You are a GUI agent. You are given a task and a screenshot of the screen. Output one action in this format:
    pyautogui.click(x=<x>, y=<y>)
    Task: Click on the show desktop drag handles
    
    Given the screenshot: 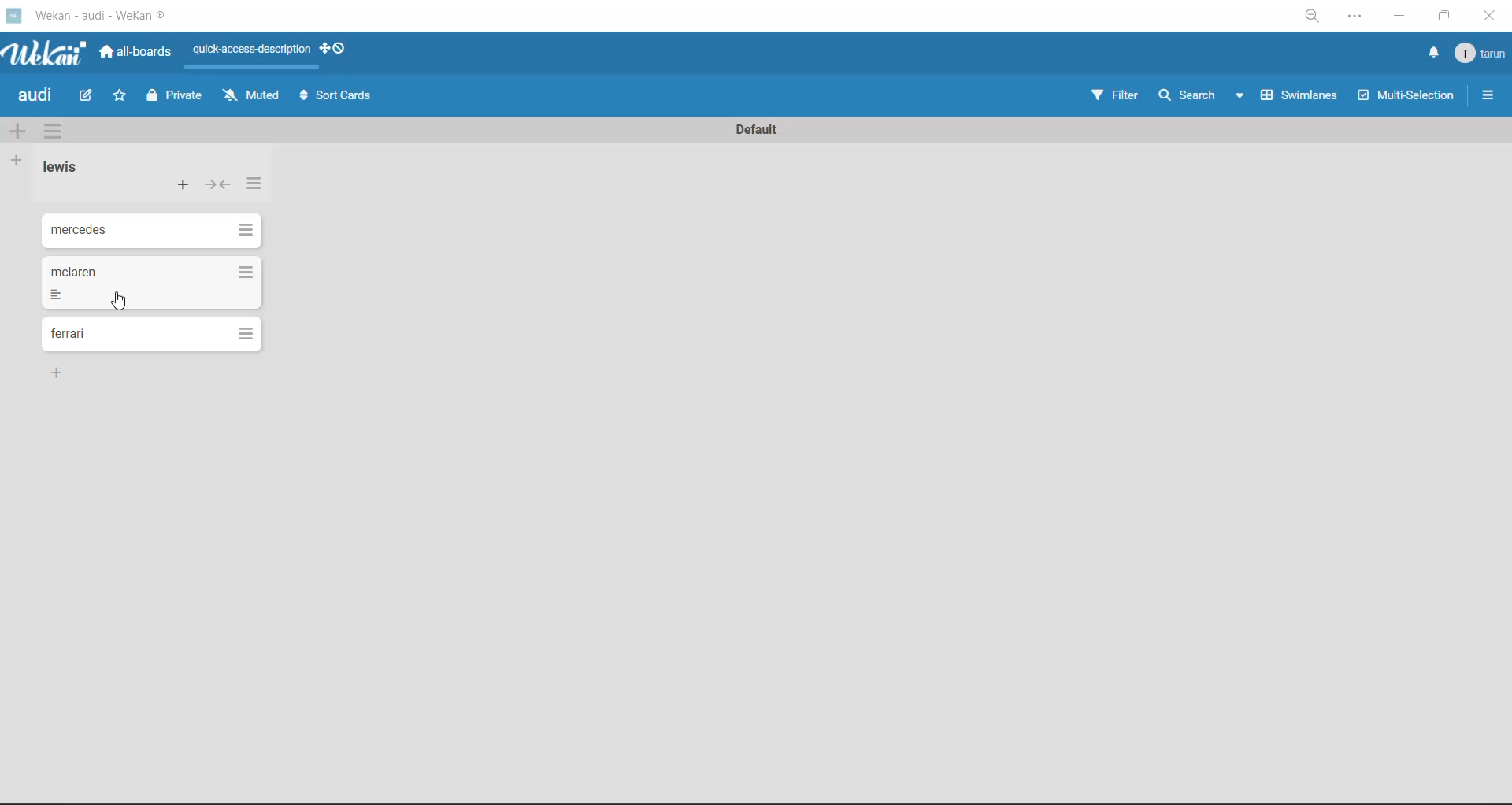 What is the action you would take?
    pyautogui.click(x=336, y=48)
    